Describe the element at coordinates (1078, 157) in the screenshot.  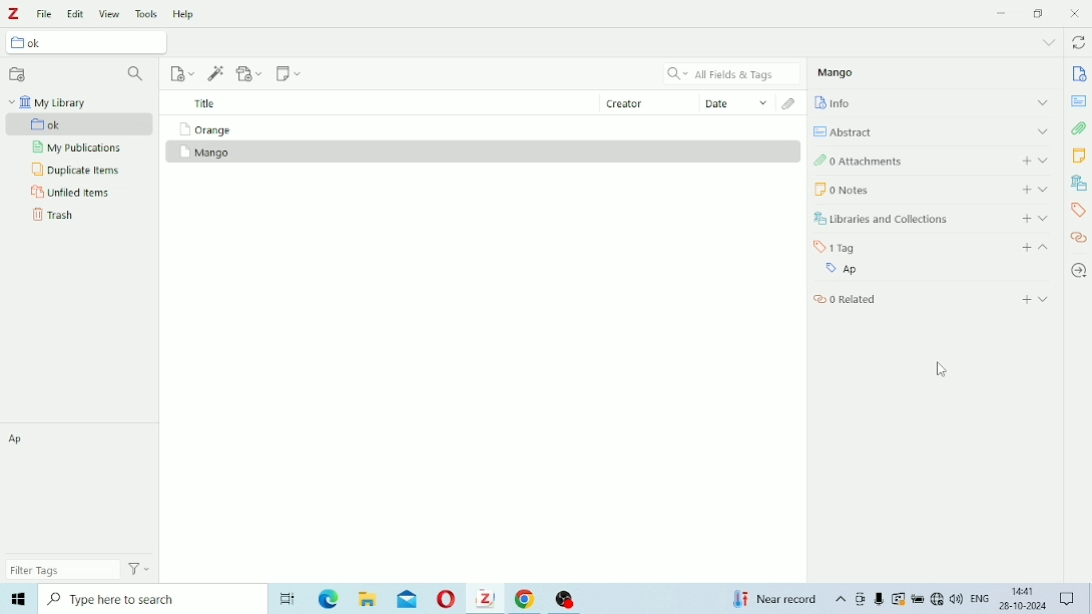
I see `Notes` at that location.